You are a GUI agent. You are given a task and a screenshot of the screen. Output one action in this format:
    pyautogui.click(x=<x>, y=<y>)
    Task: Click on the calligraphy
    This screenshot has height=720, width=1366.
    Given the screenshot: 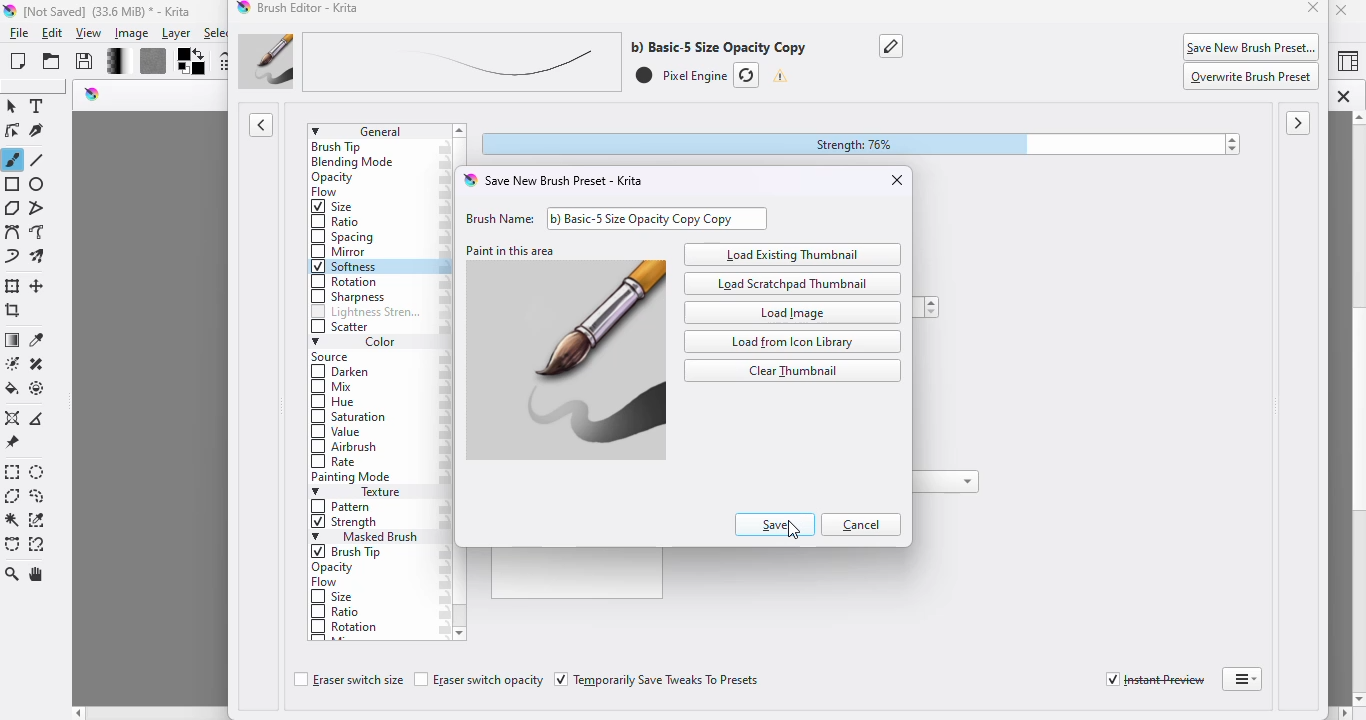 What is the action you would take?
    pyautogui.click(x=39, y=132)
    